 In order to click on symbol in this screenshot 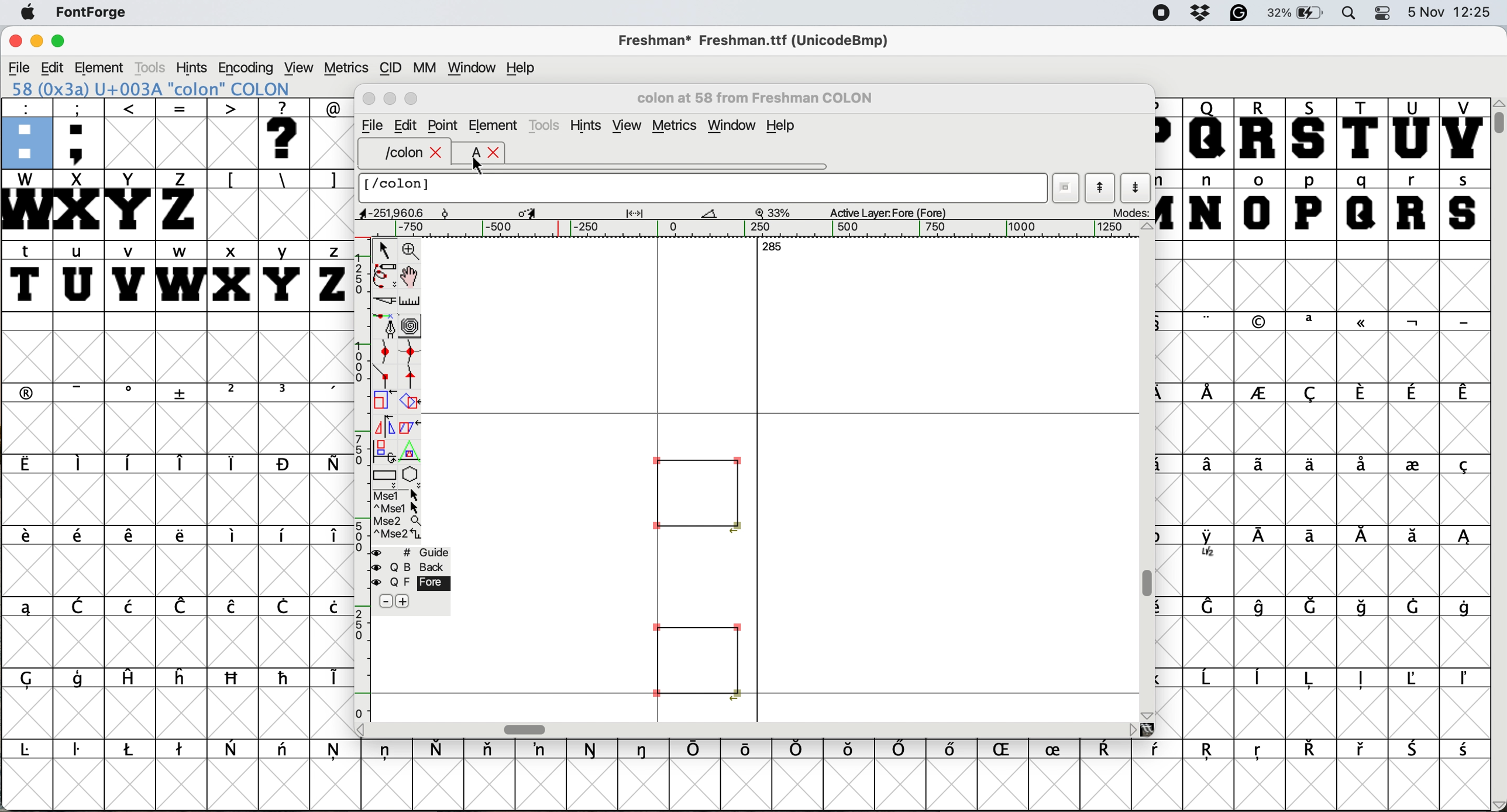, I will do `click(387, 752)`.